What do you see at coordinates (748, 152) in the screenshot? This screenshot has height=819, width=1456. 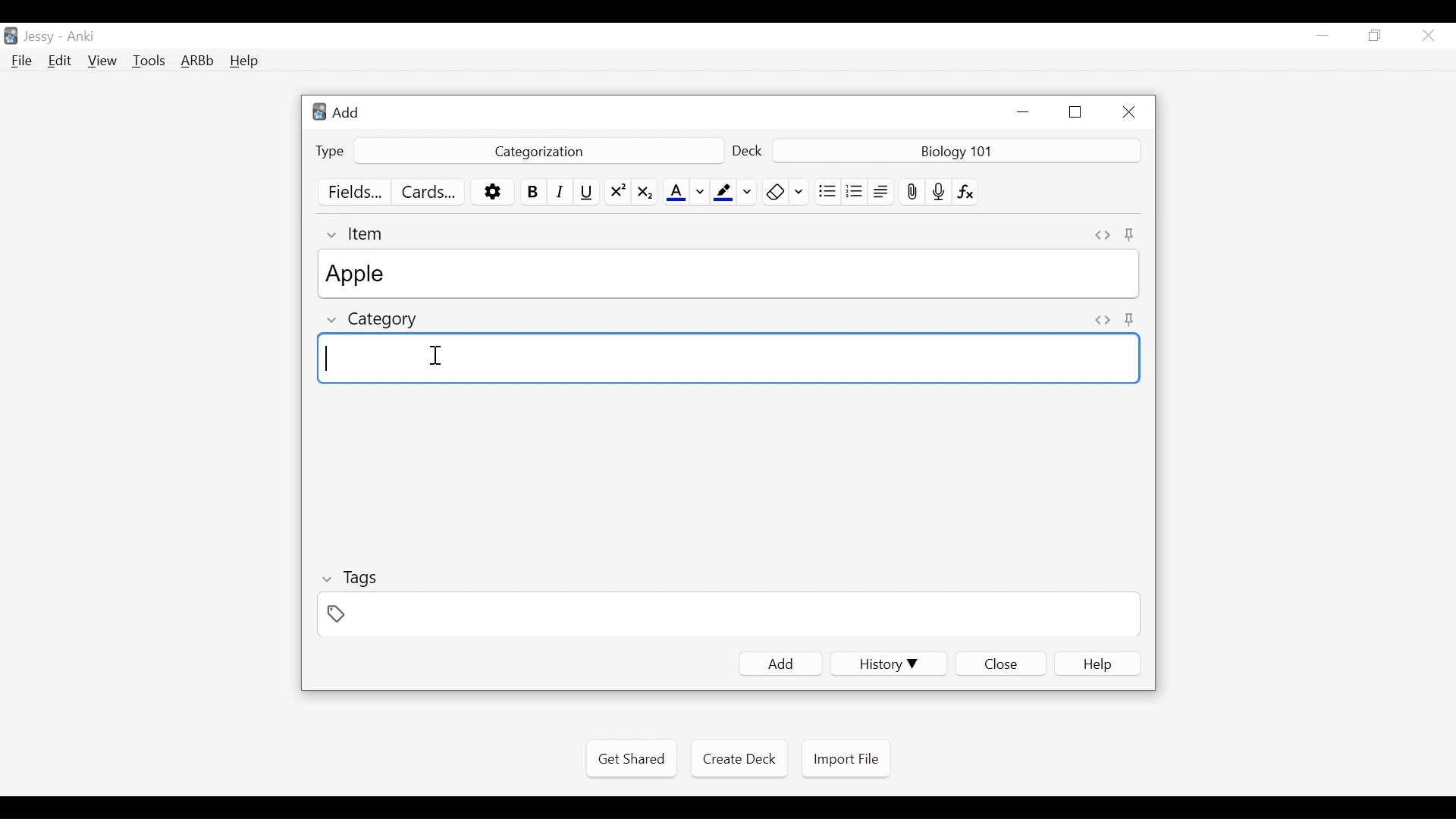 I see `Deck` at bounding box center [748, 152].